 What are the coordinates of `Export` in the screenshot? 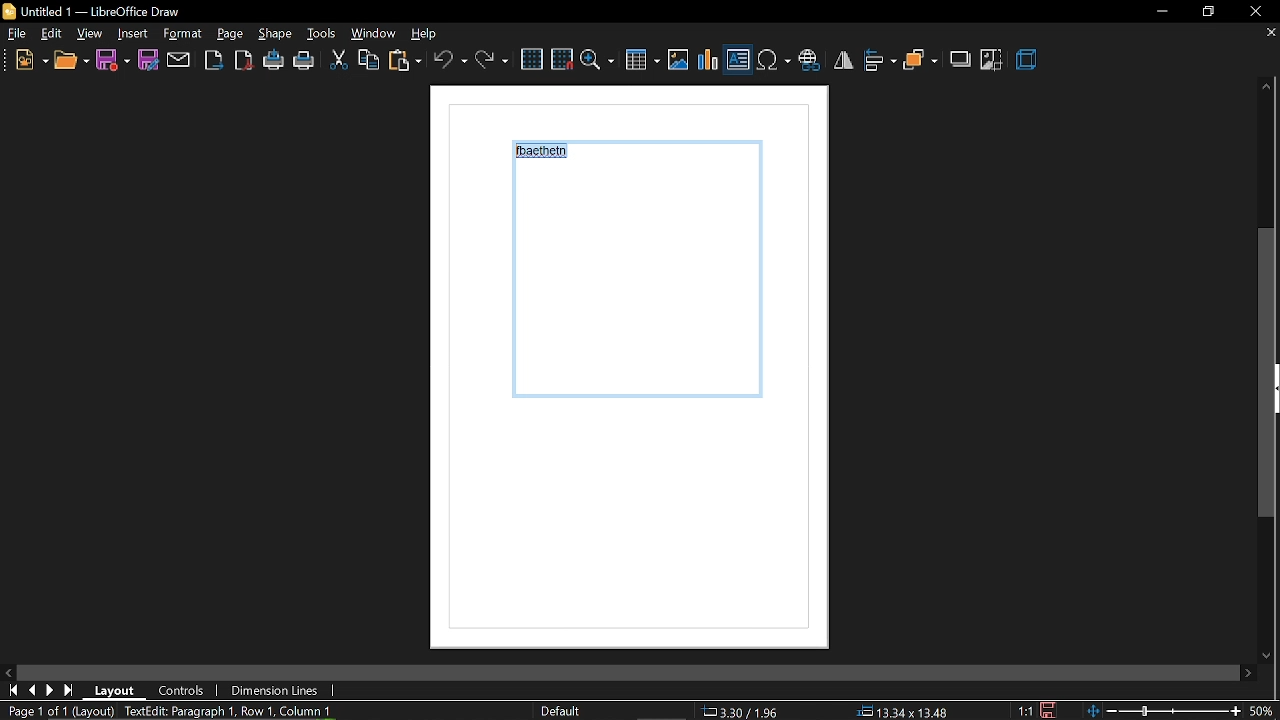 It's located at (214, 59).